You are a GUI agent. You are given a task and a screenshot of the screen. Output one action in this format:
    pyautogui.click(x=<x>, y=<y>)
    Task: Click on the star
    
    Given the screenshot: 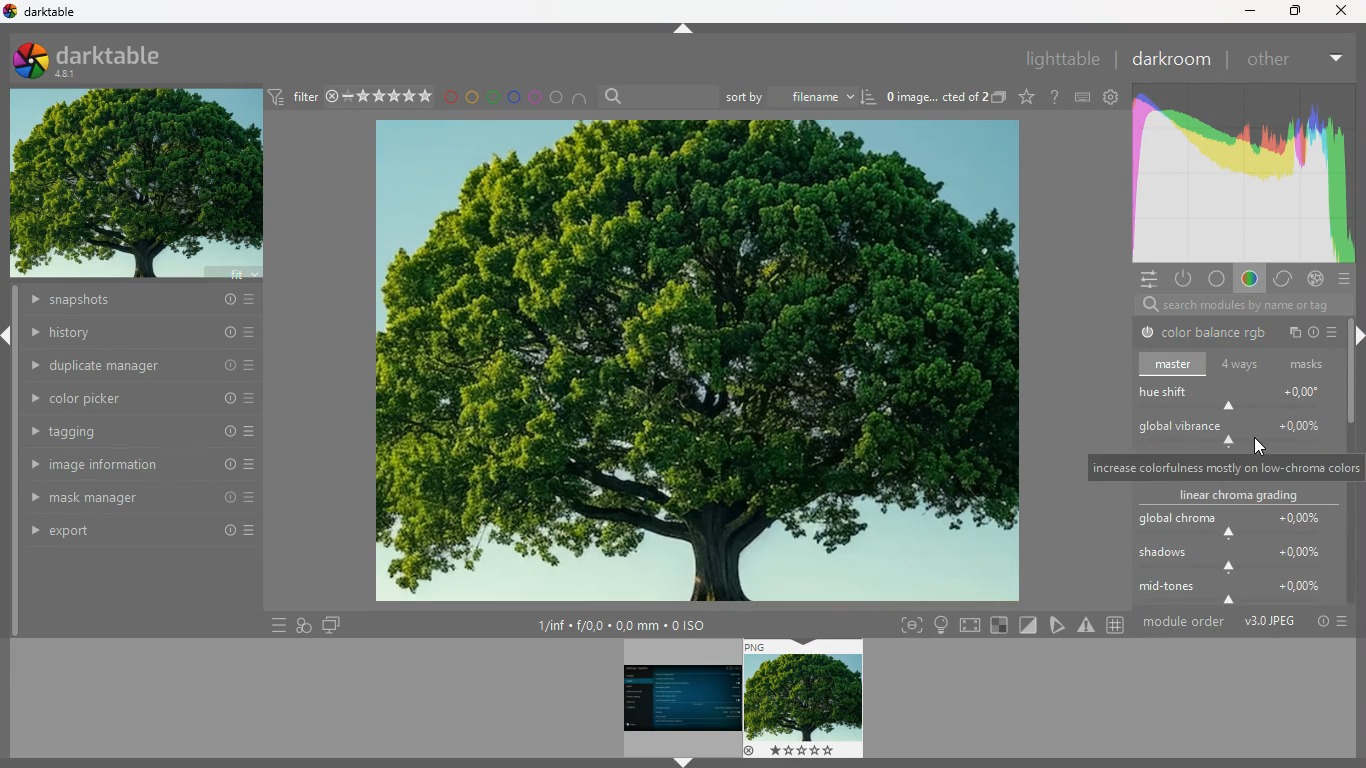 What is the action you would take?
    pyautogui.click(x=1027, y=97)
    